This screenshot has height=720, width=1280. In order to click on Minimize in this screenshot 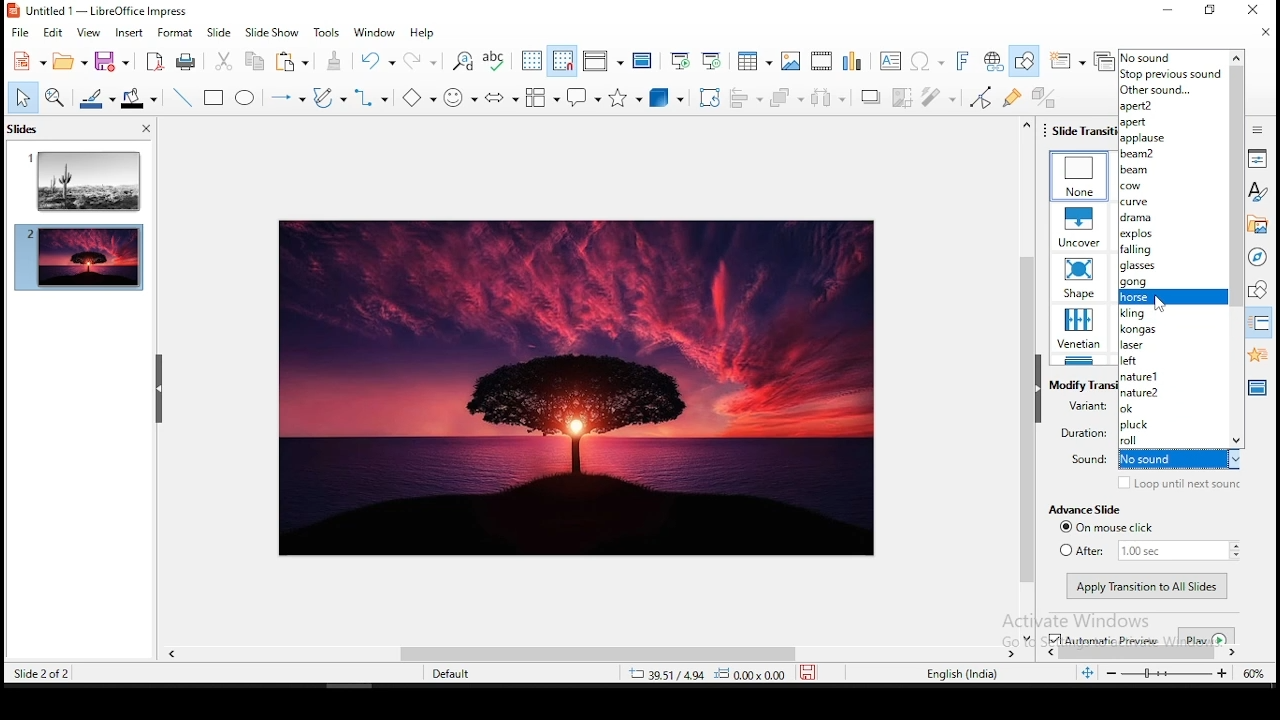, I will do `click(1166, 9)`.